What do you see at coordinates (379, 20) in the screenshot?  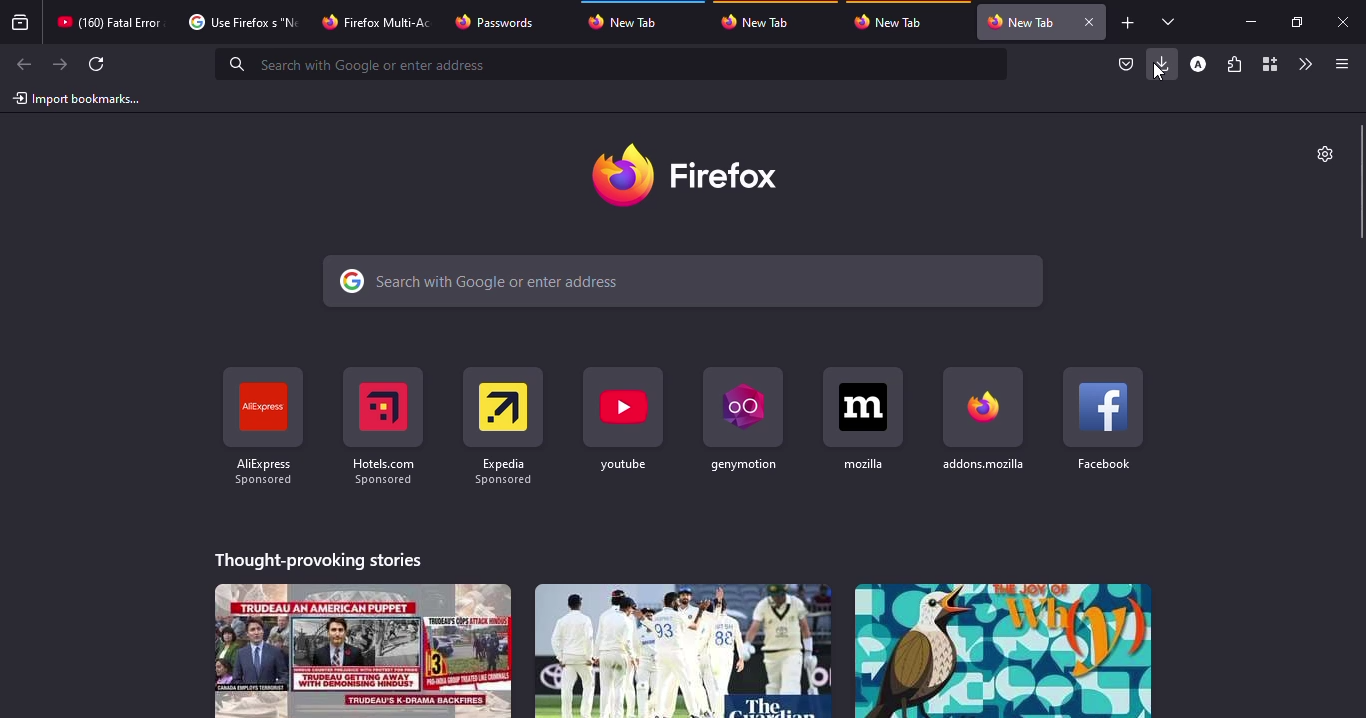 I see `tab` at bounding box center [379, 20].